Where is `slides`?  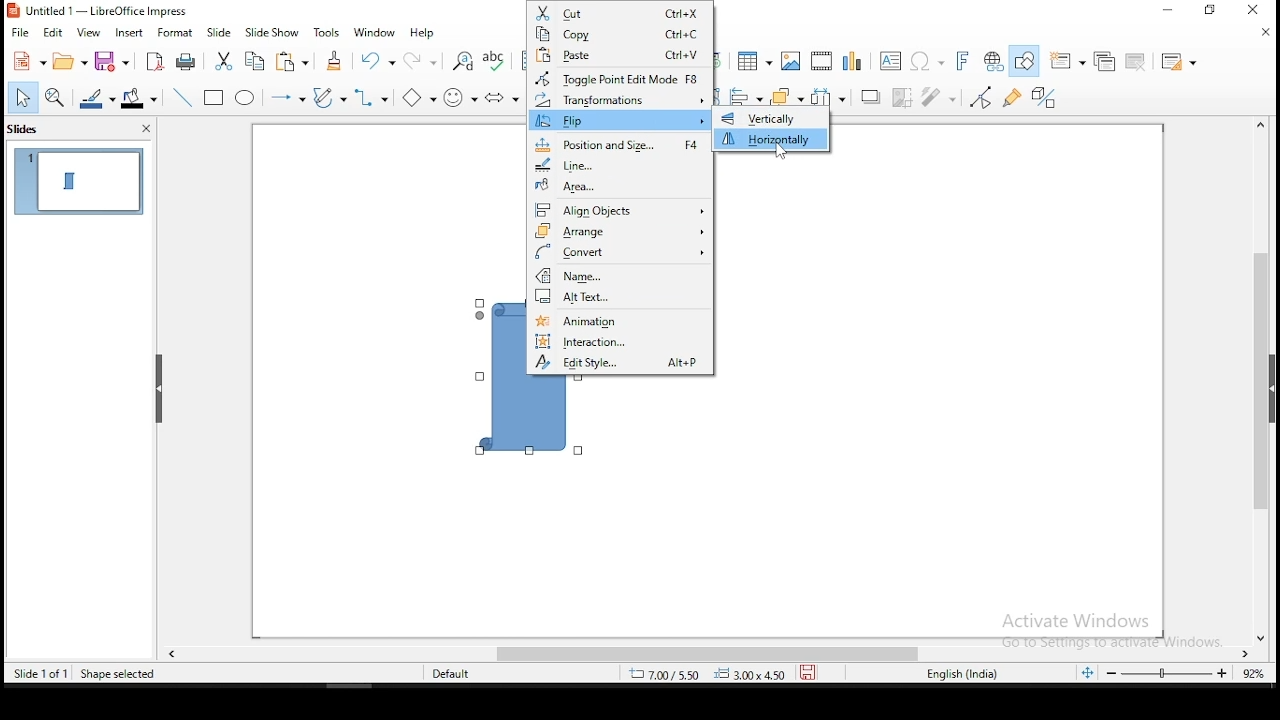 slides is located at coordinates (27, 132).